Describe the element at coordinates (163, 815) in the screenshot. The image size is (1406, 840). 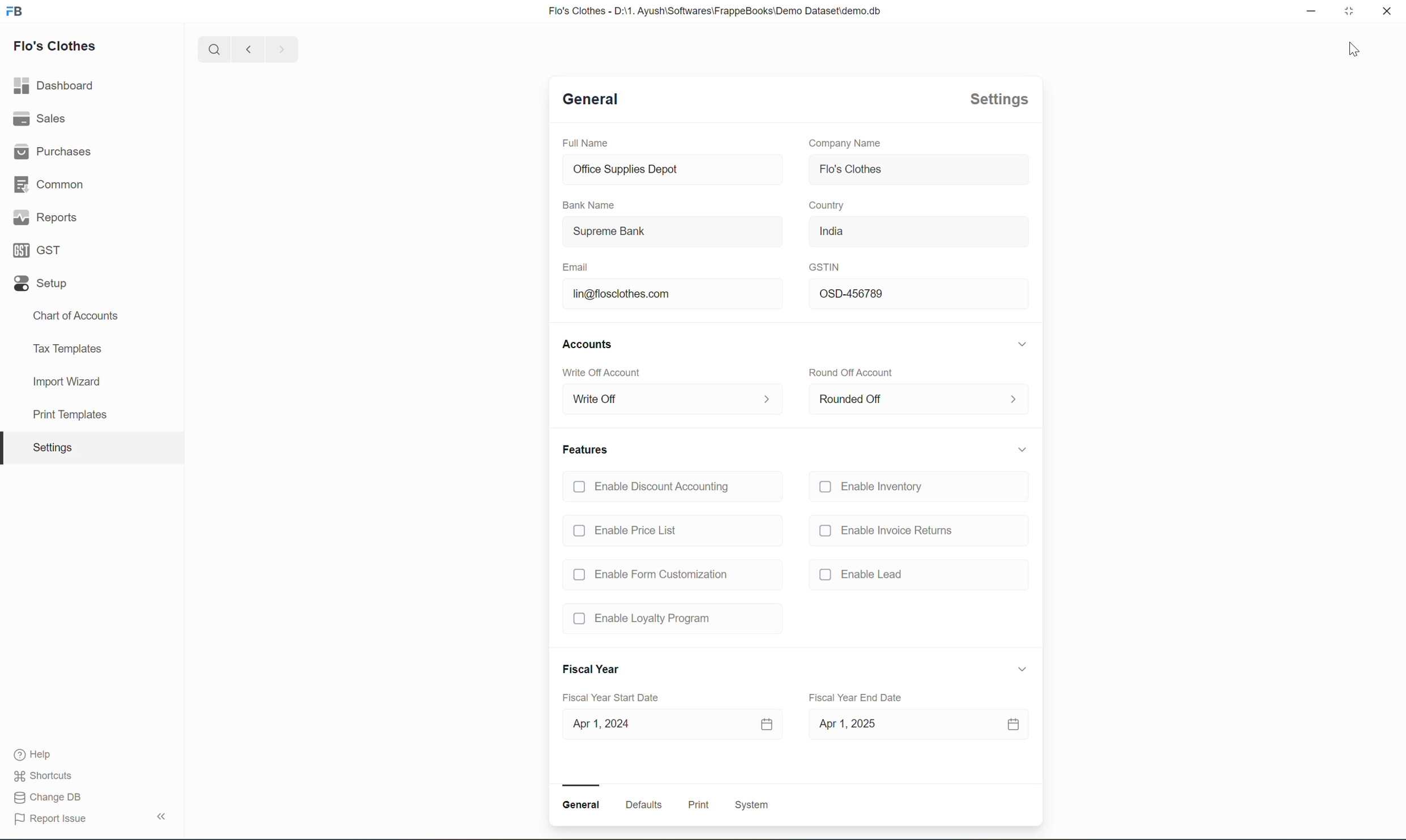
I see `Collapse` at that location.